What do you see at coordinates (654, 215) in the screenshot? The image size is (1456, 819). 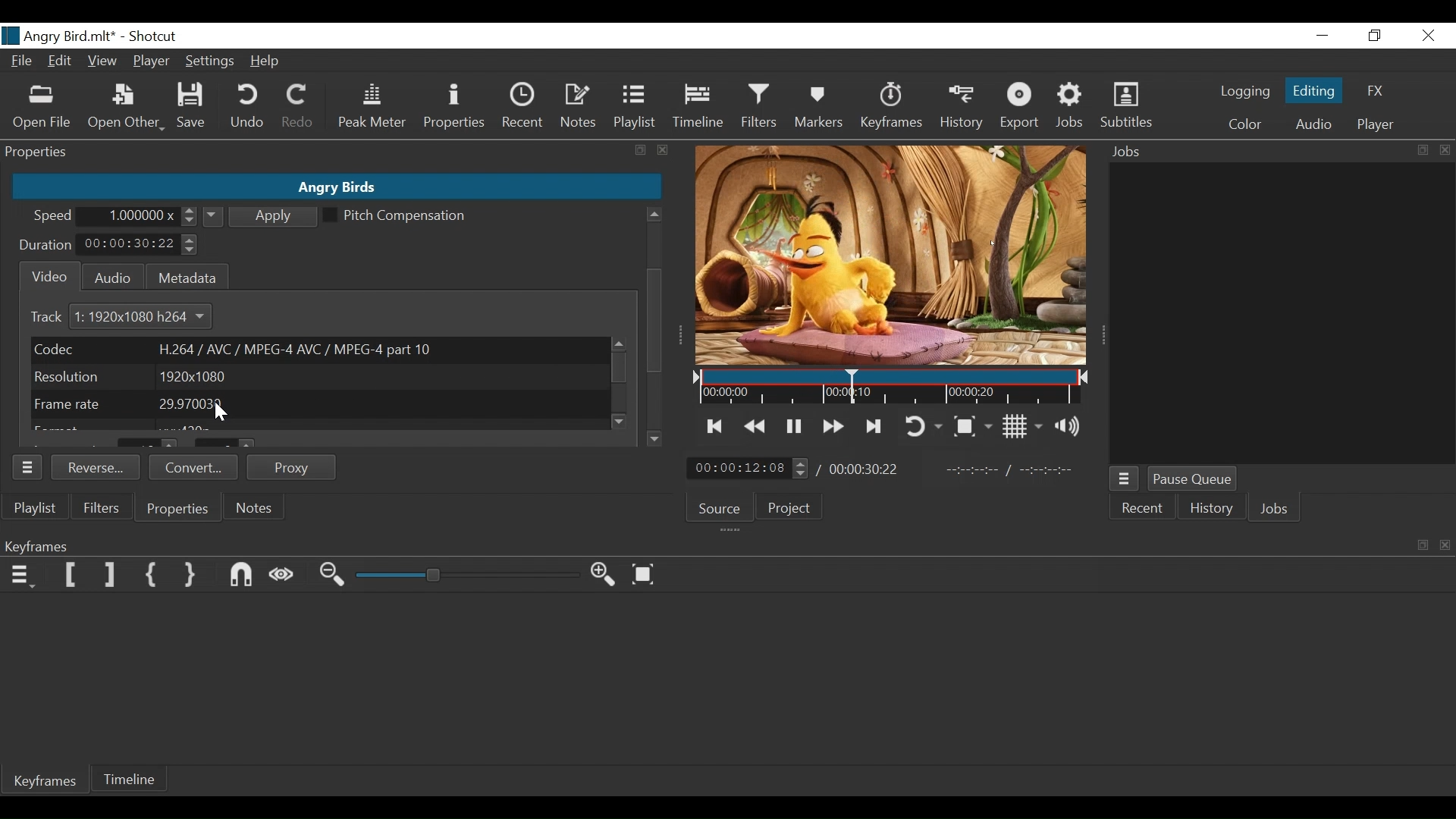 I see `Scroll up` at bounding box center [654, 215].